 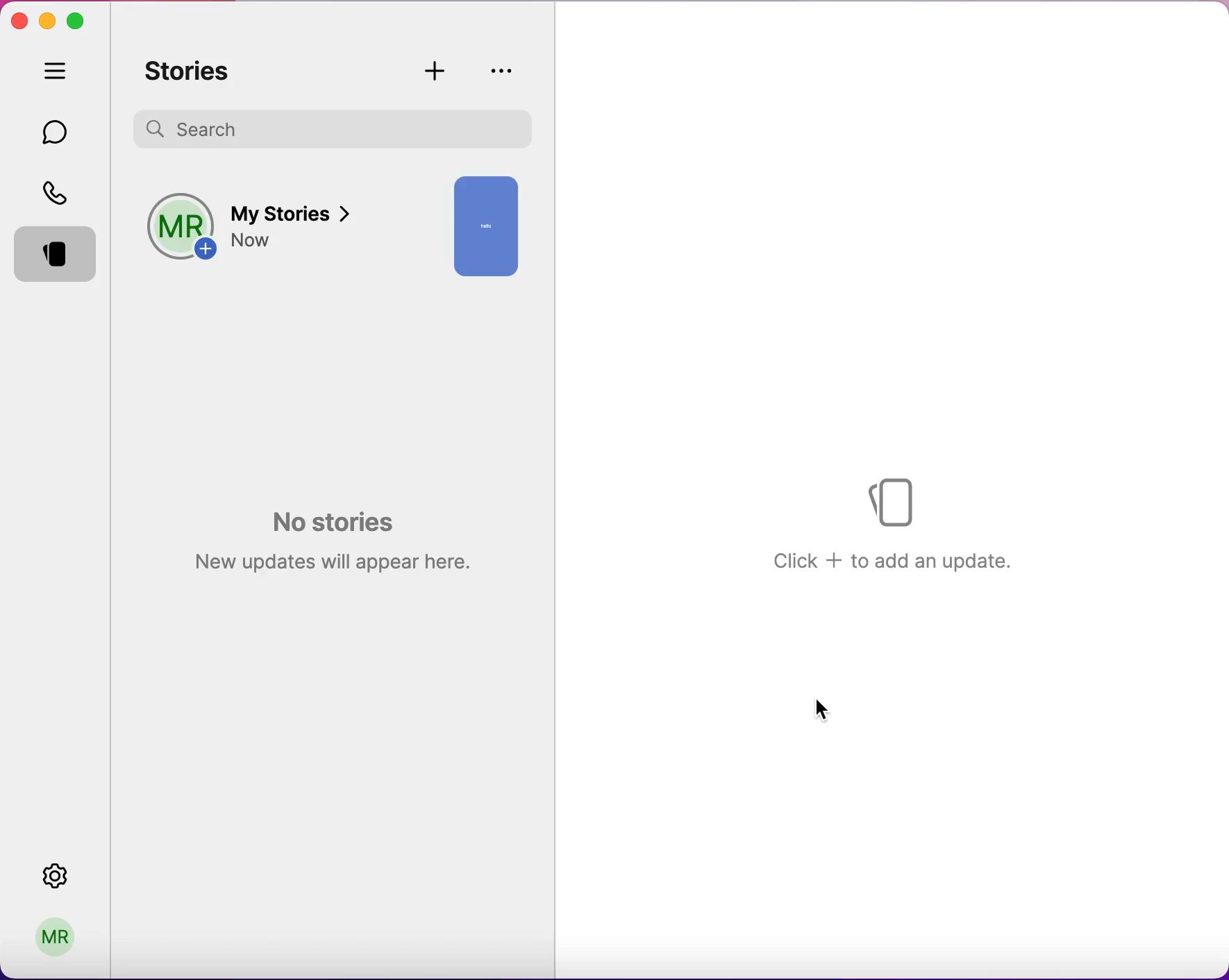 I want to click on maximize, so click(x=80, y=20).